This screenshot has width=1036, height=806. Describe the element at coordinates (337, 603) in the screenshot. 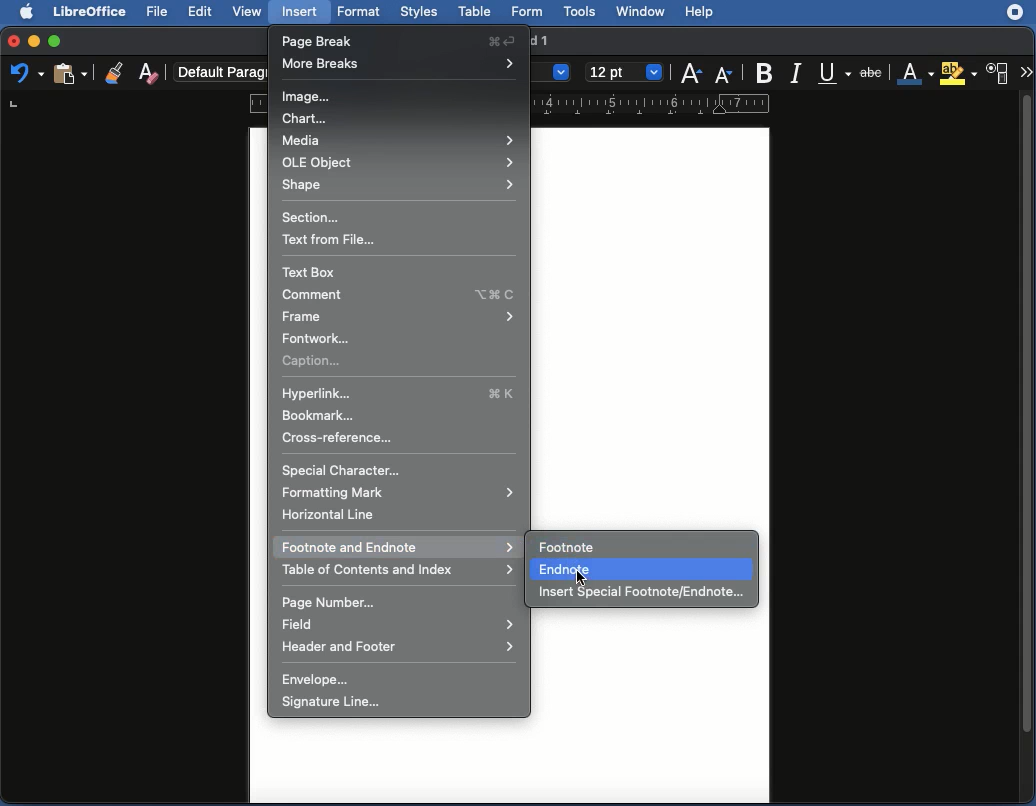

I see `Page number` at that location.